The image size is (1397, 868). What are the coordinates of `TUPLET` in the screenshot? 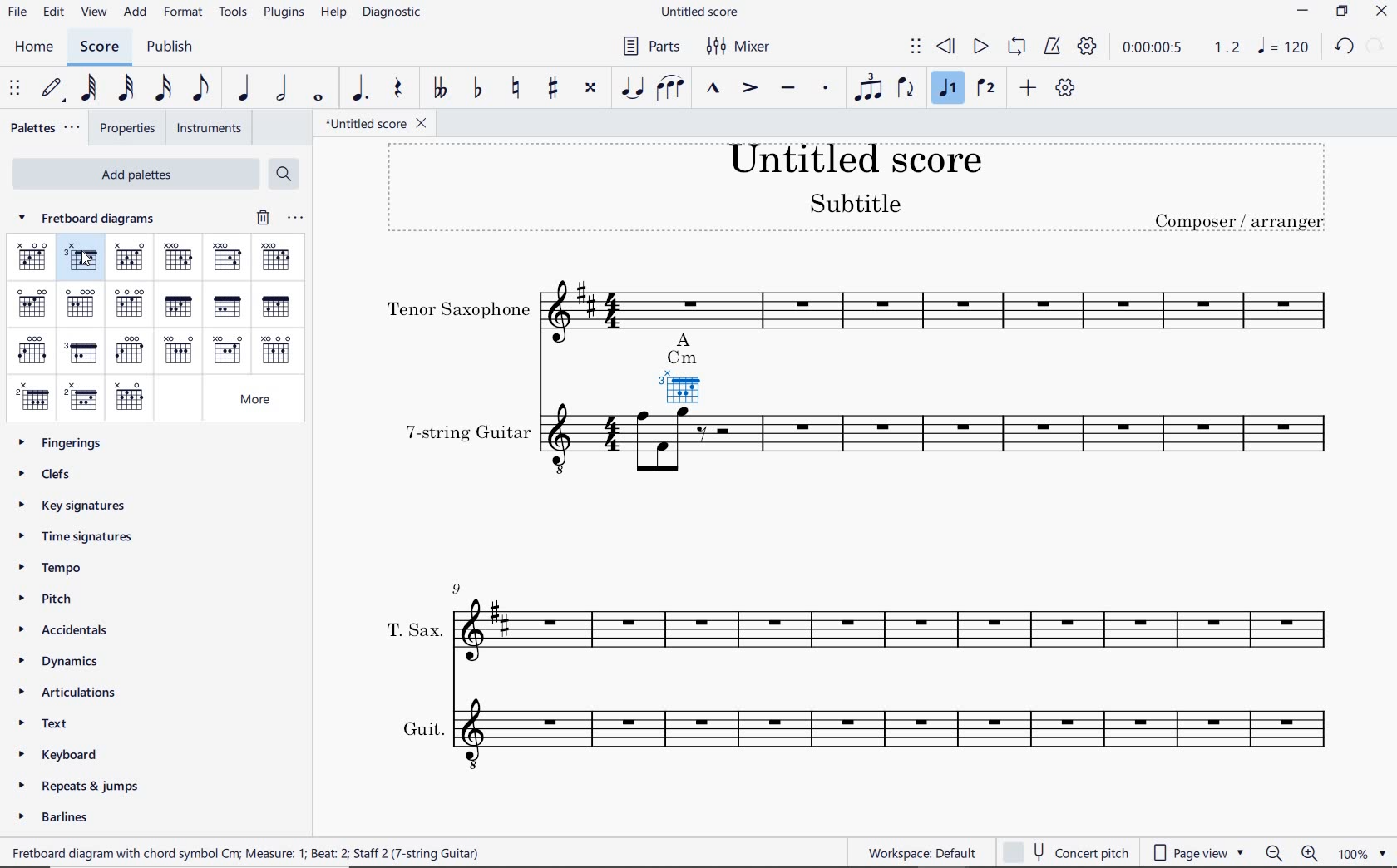 It's located at (869, 89).